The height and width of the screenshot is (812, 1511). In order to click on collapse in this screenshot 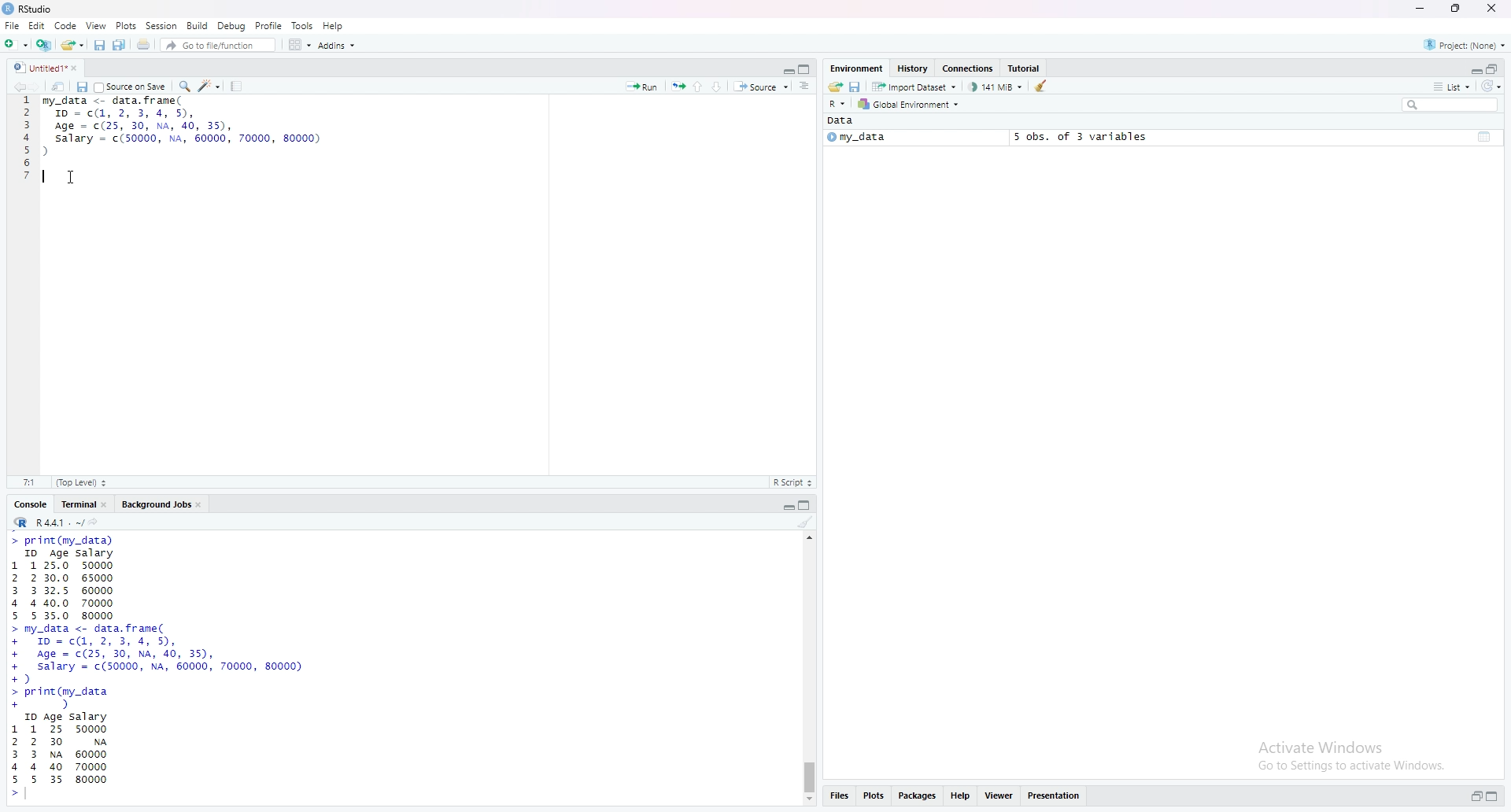, I will do `click(1485, 135)`.